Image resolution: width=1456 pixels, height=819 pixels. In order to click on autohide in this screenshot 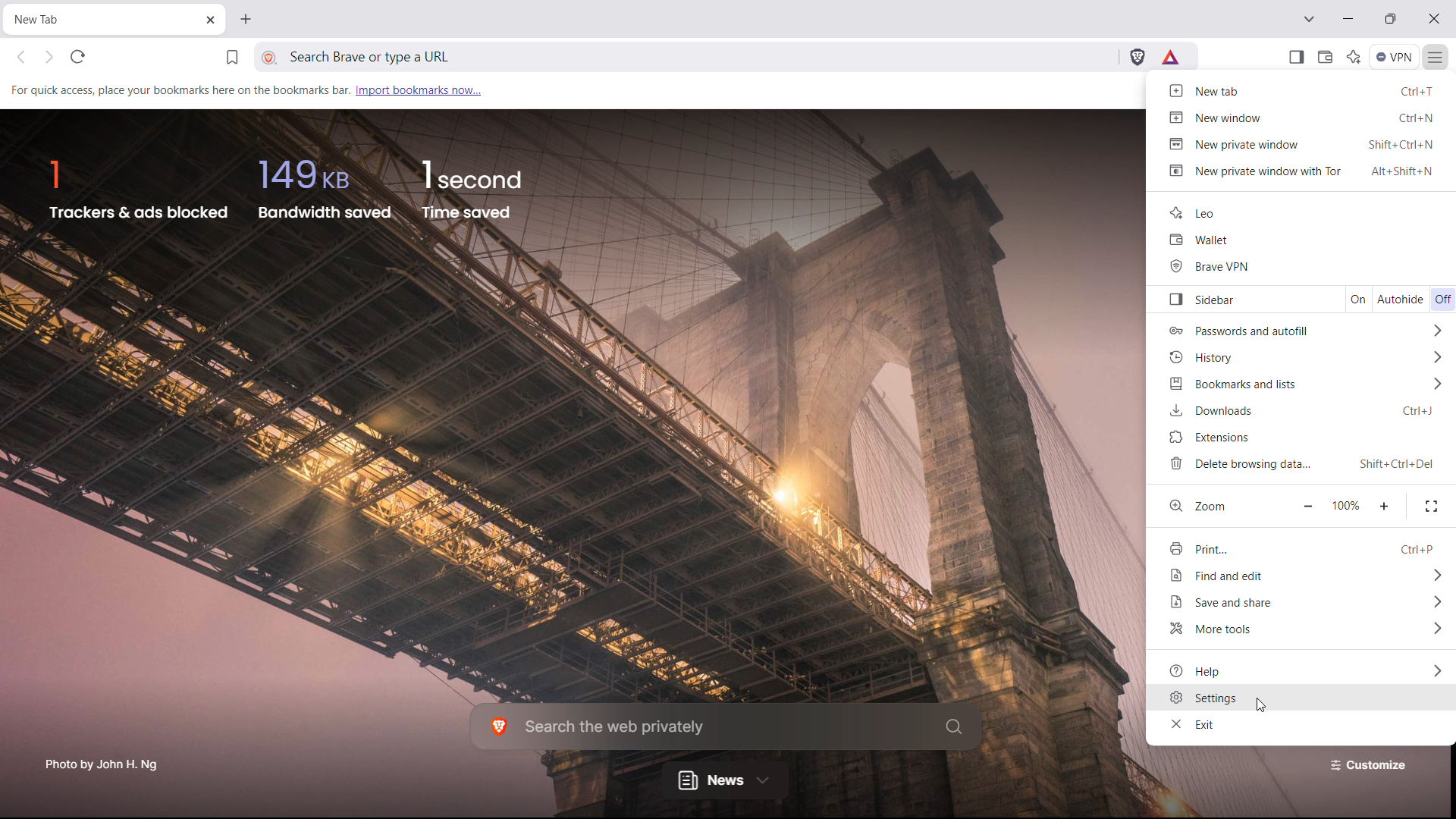, I will do `click(1400, 298)`.